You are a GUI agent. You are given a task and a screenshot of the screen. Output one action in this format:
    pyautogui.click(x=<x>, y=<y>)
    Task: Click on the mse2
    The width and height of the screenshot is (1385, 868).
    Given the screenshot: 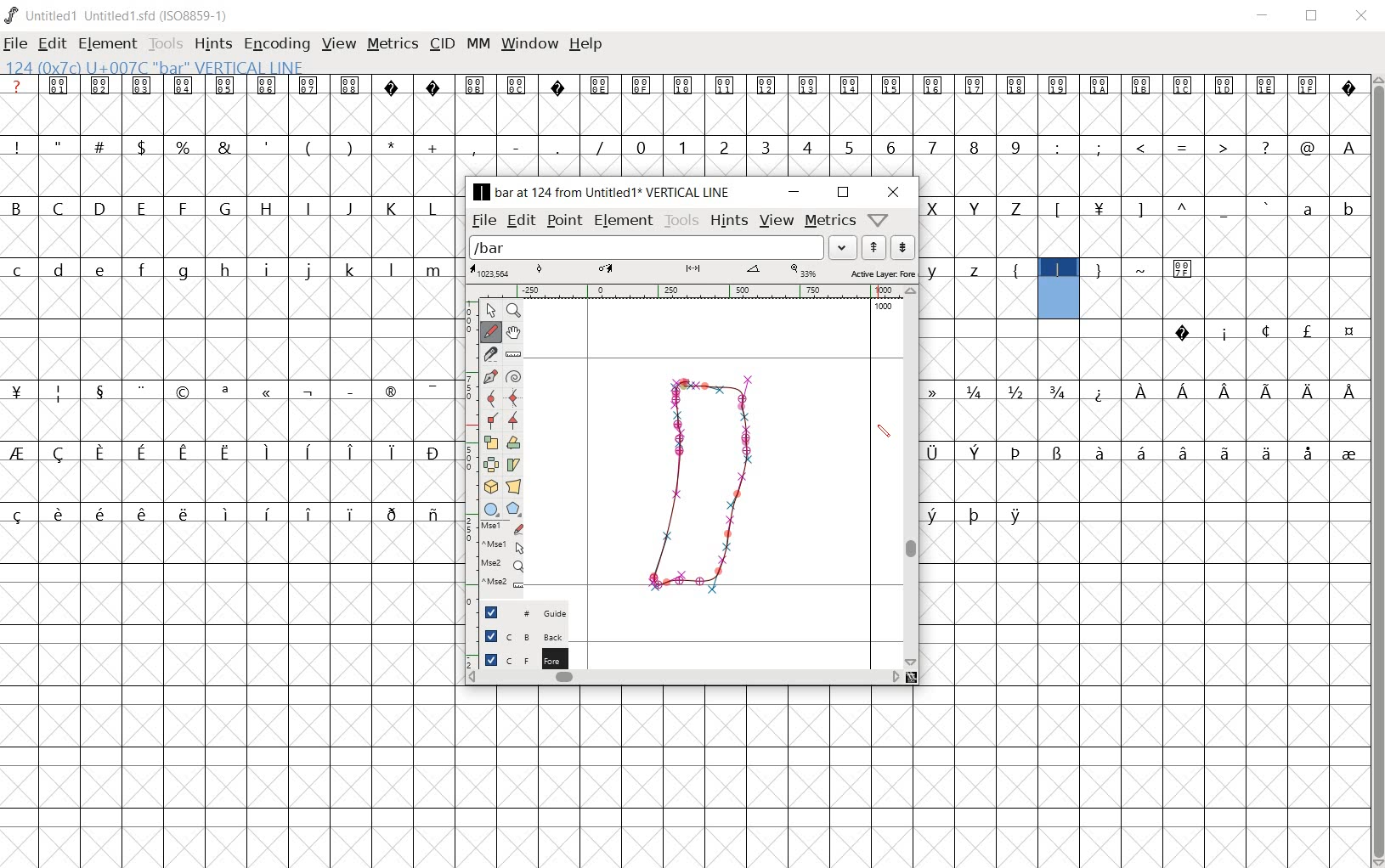 What is the action you would take?
    pyautogui.click(x=497, y=586)
    